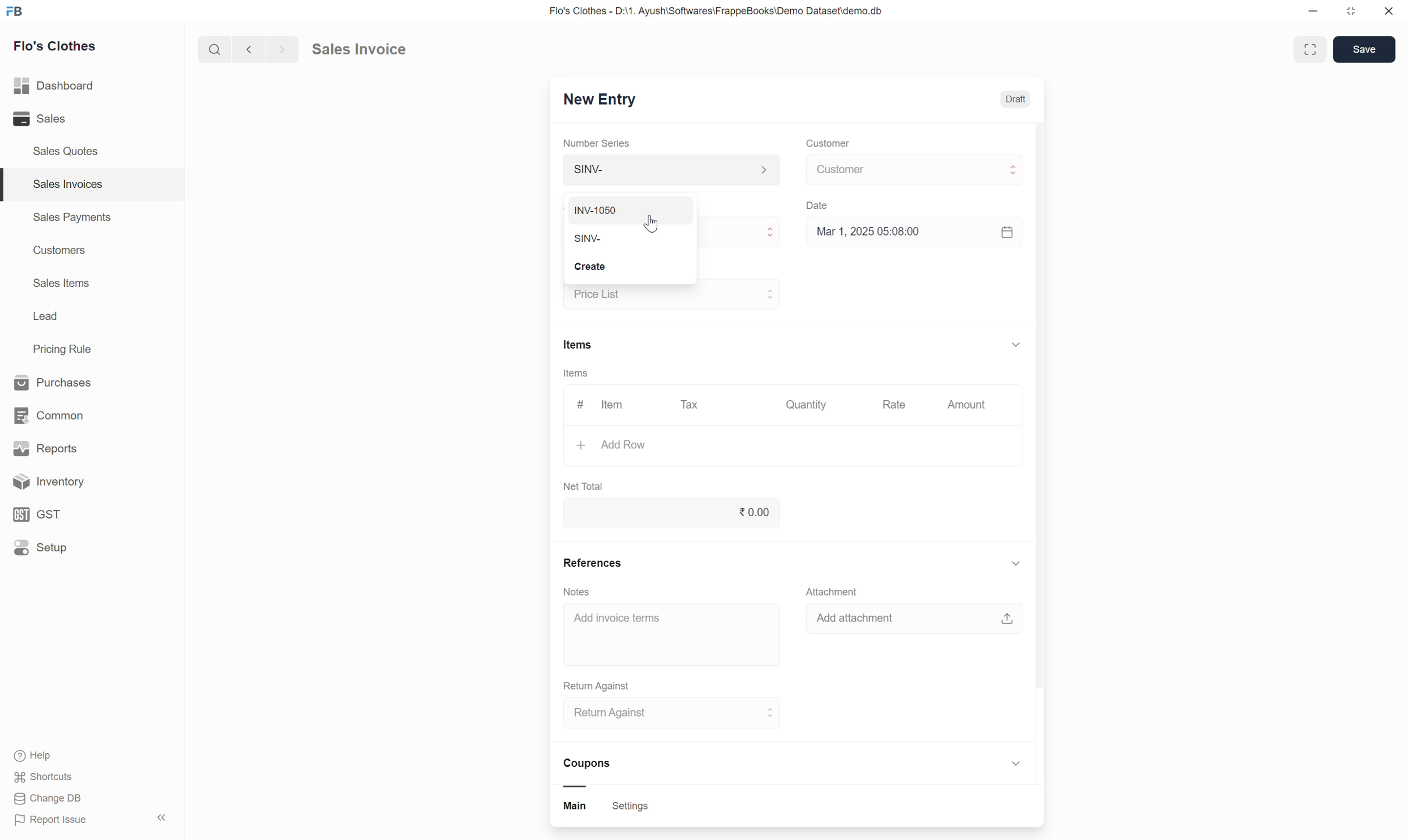 The height and width of the screenshot is (840, 1408). I want to click on Add row, so click(772, 448).